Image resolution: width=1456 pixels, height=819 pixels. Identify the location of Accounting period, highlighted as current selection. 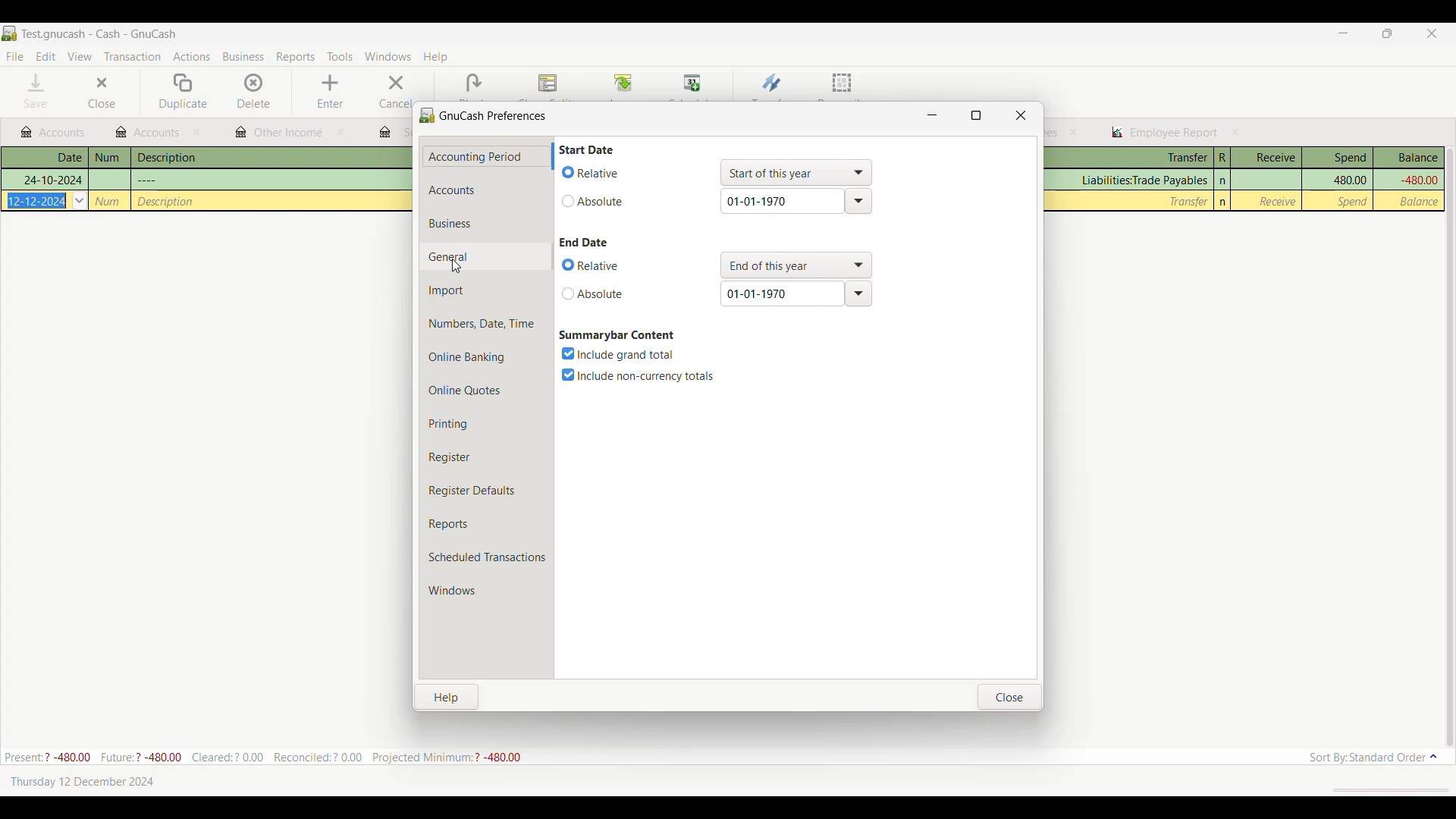
(484, 157).